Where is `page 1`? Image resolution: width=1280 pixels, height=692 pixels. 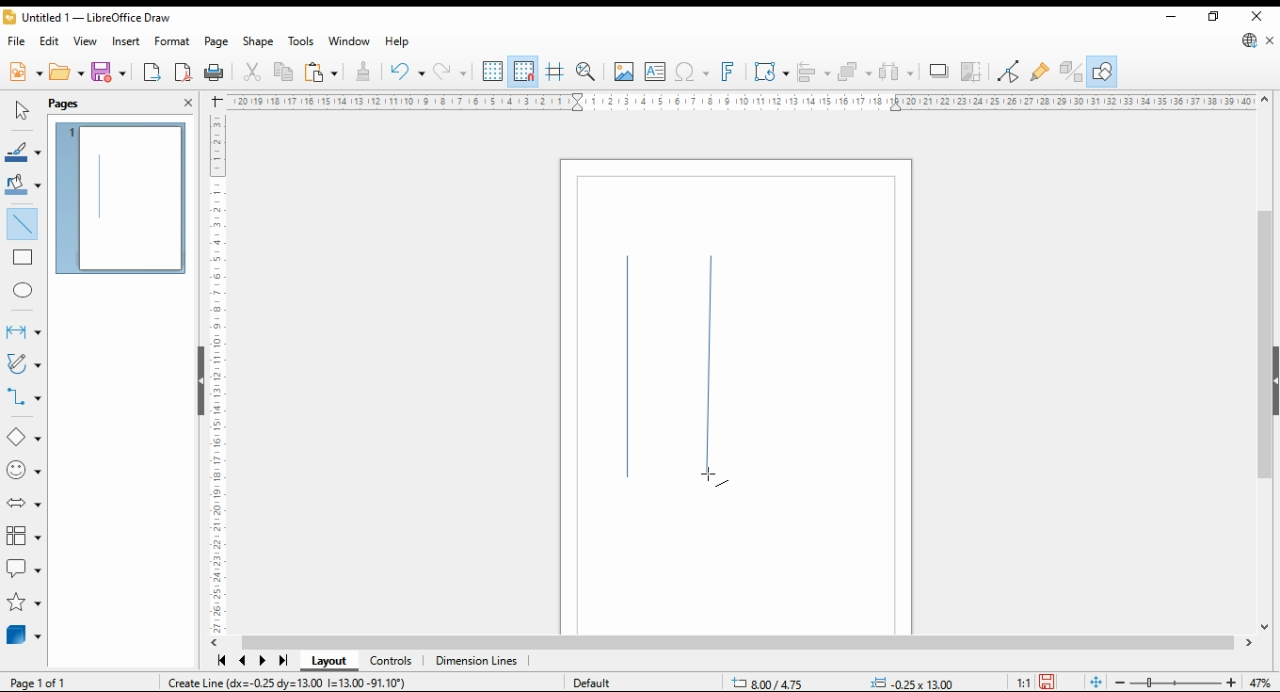
page 1 is located at coordinates (123, 199).